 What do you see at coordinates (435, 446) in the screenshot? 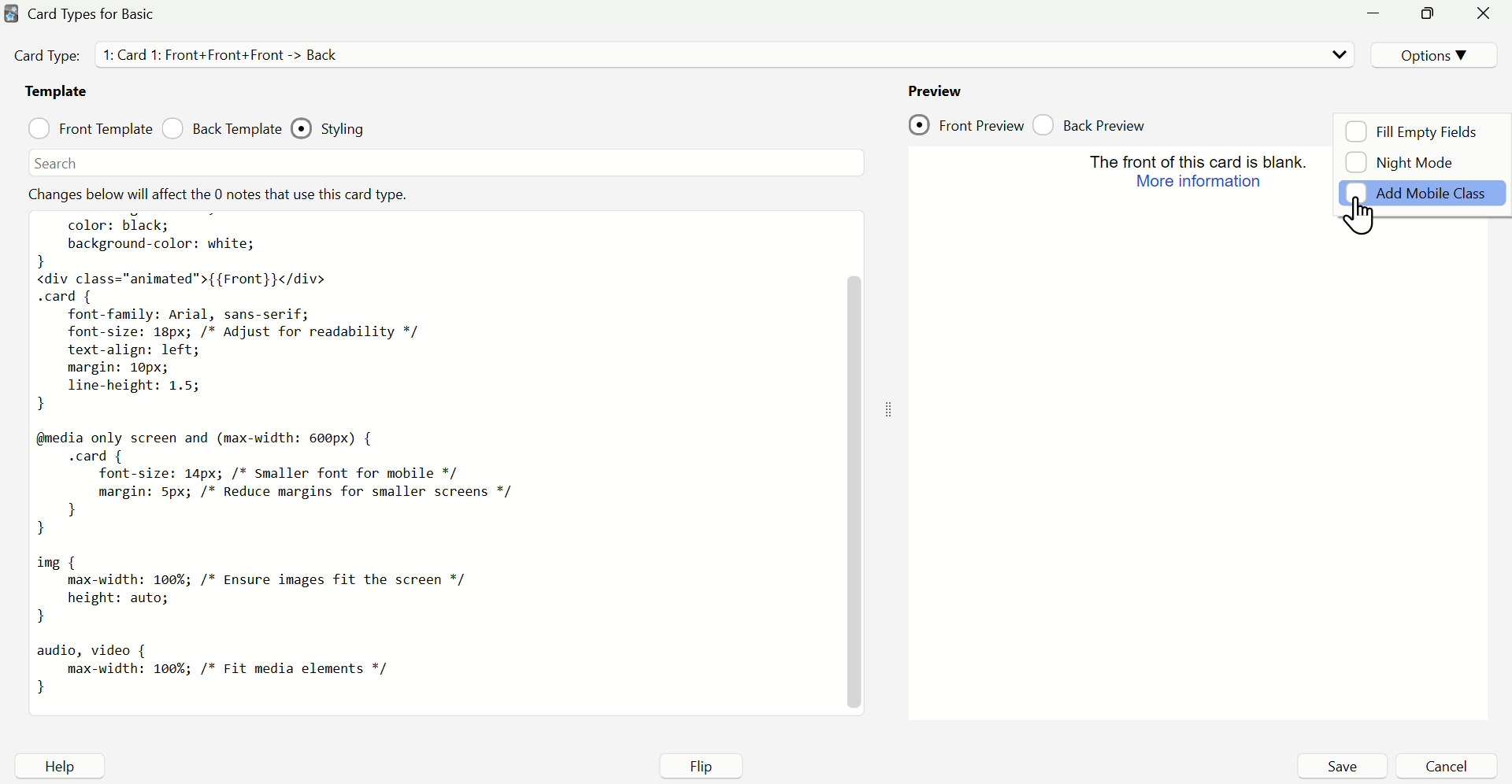
I see `Code` at bounding box center [435, 446].